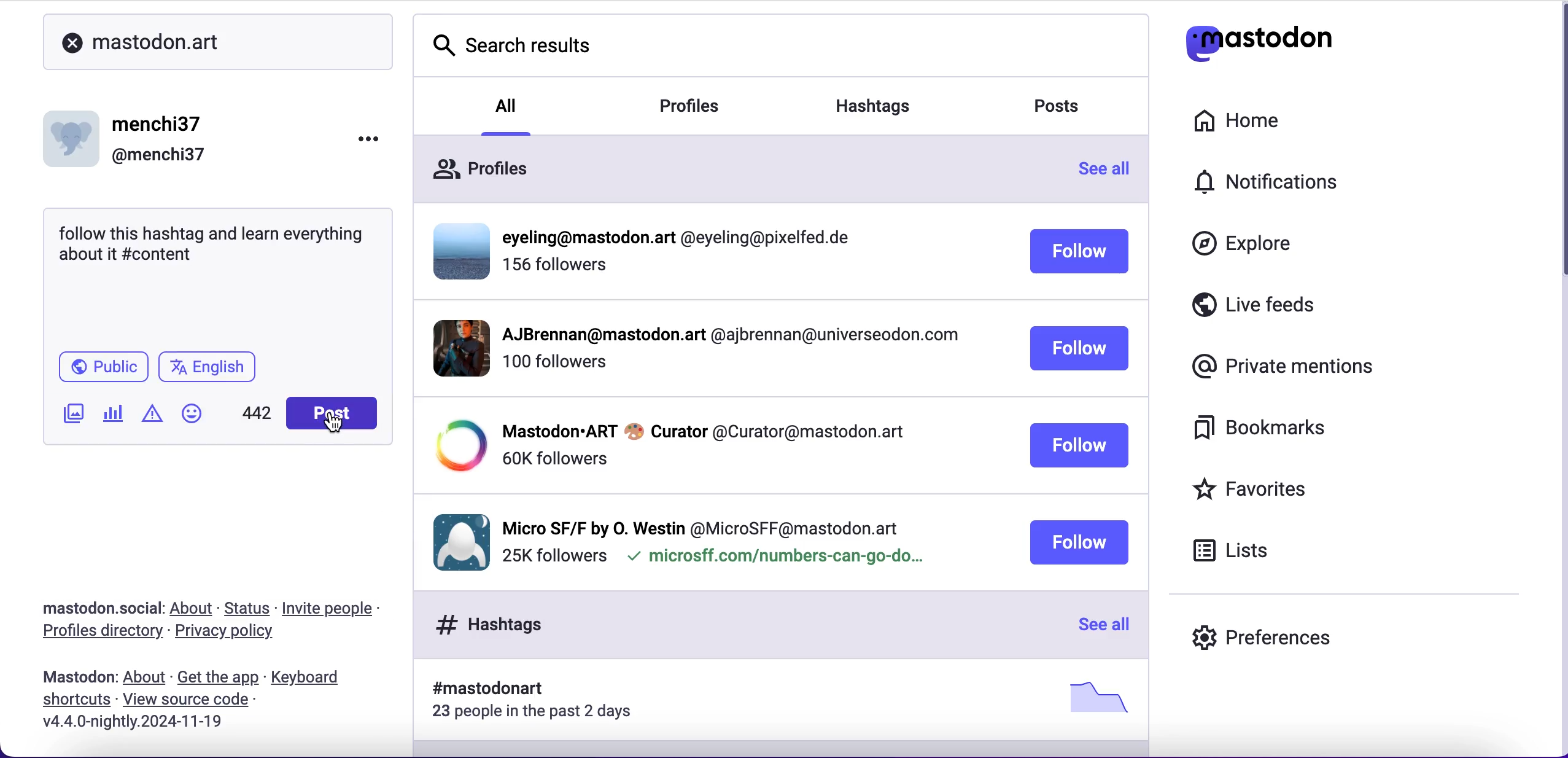  Describe the element at coordinates (1241, 554) in the screenshot. I see `lists` at that location.